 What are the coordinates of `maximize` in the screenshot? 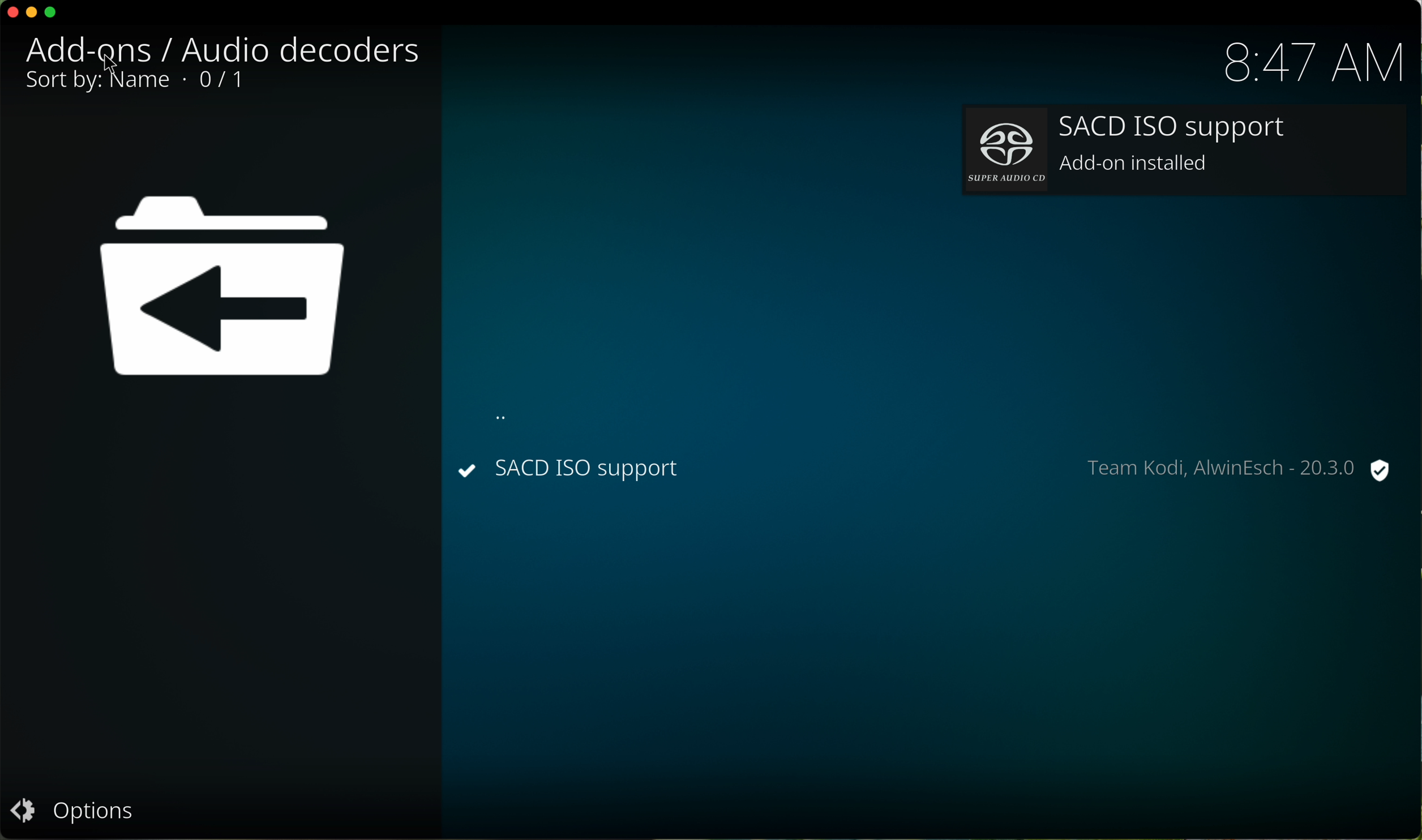 It's located at (55, 15).